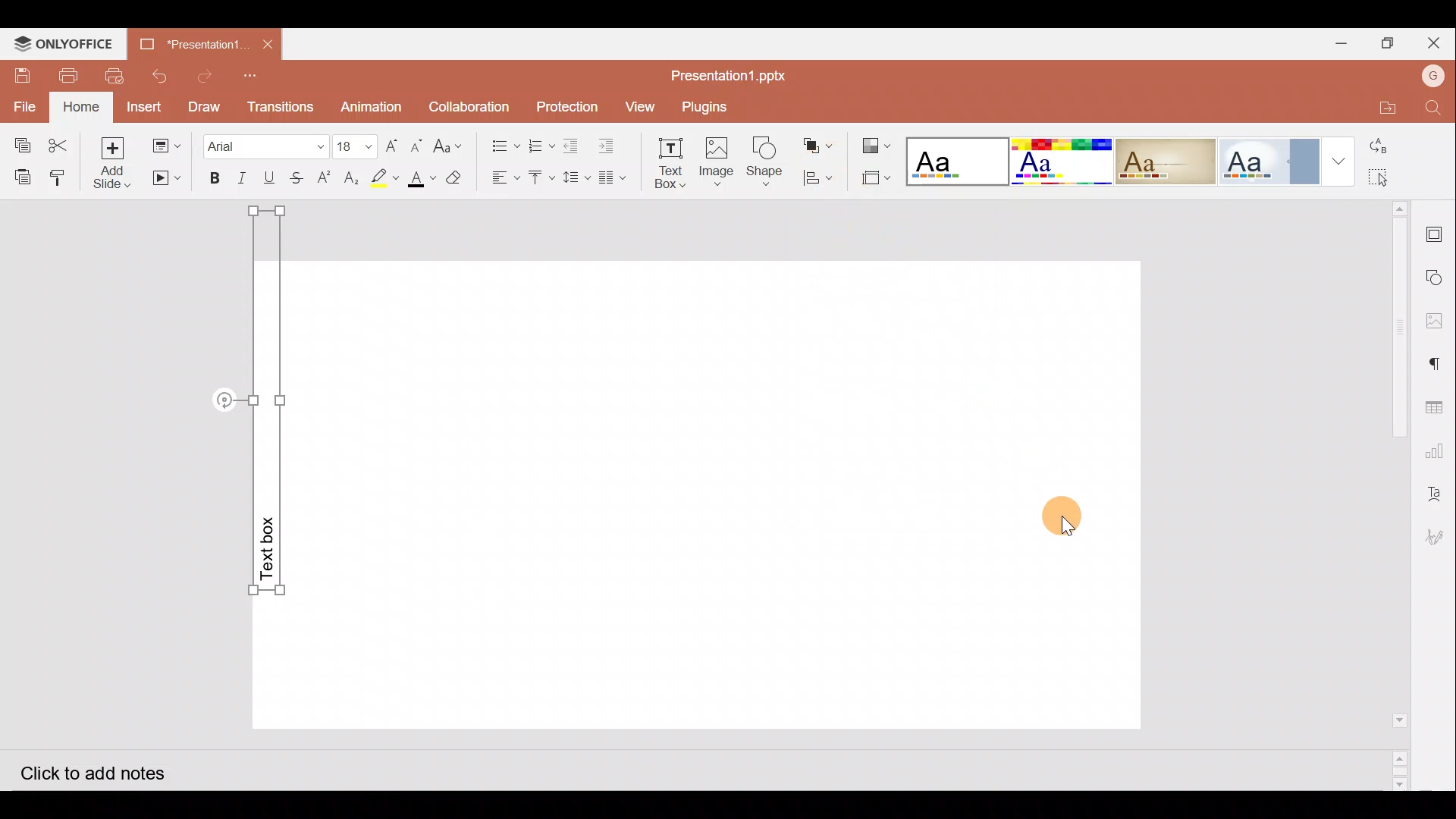 The width and height of the screenshot is (1456, 819). Describe the element at coordinates (566, 108) in the screenshot. I see `Protection` at that location.